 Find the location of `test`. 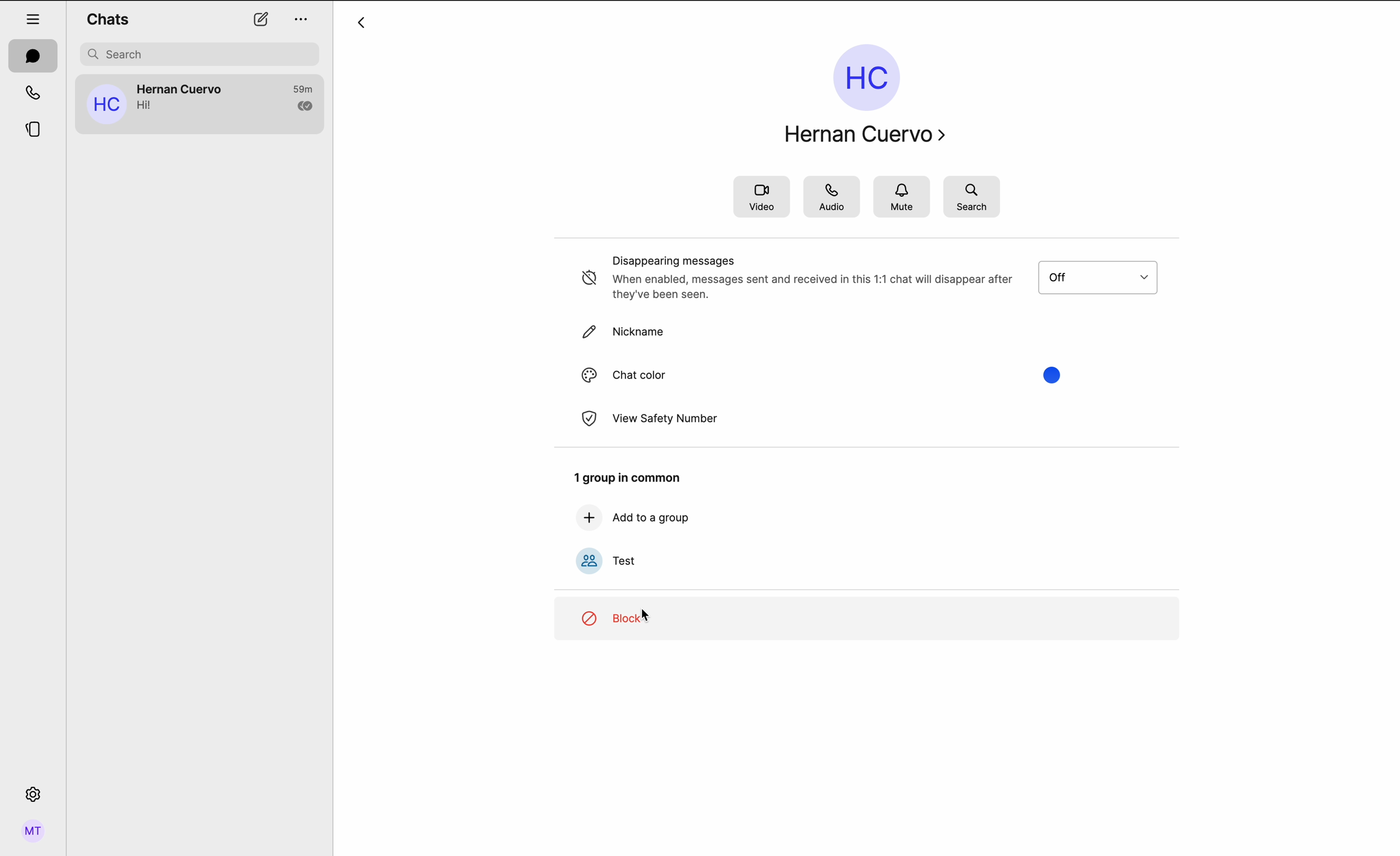

test is located at coordinates (606, 560).